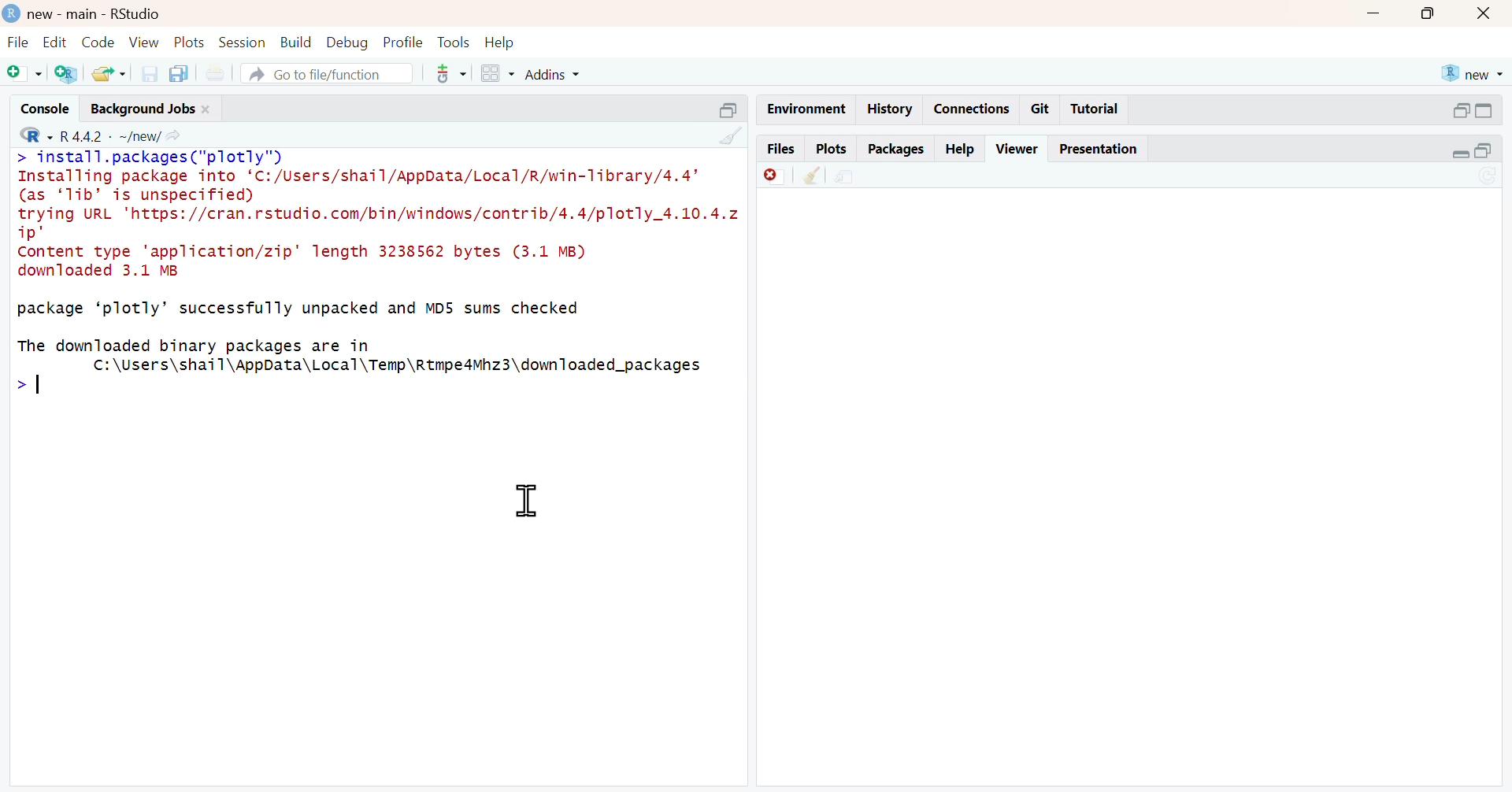 Image resolution: width=1512 pixels, height=792 pixels. I want to click on remove current viewer item, so click(773, 176).